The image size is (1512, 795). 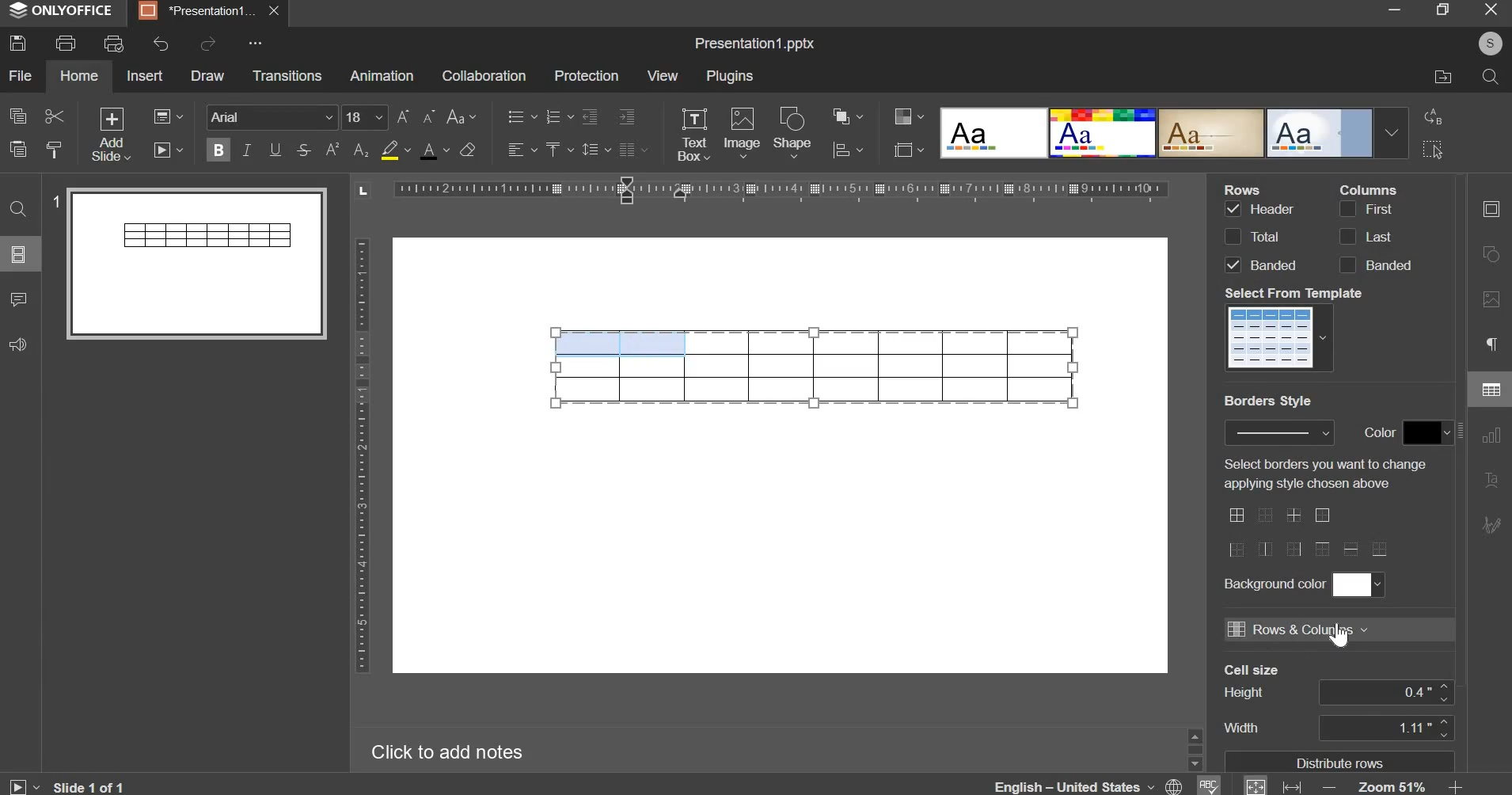 What do you see at coordinates (595, 150) in the screenshot?
I see `line spacing` at bounding box center [595, 150].